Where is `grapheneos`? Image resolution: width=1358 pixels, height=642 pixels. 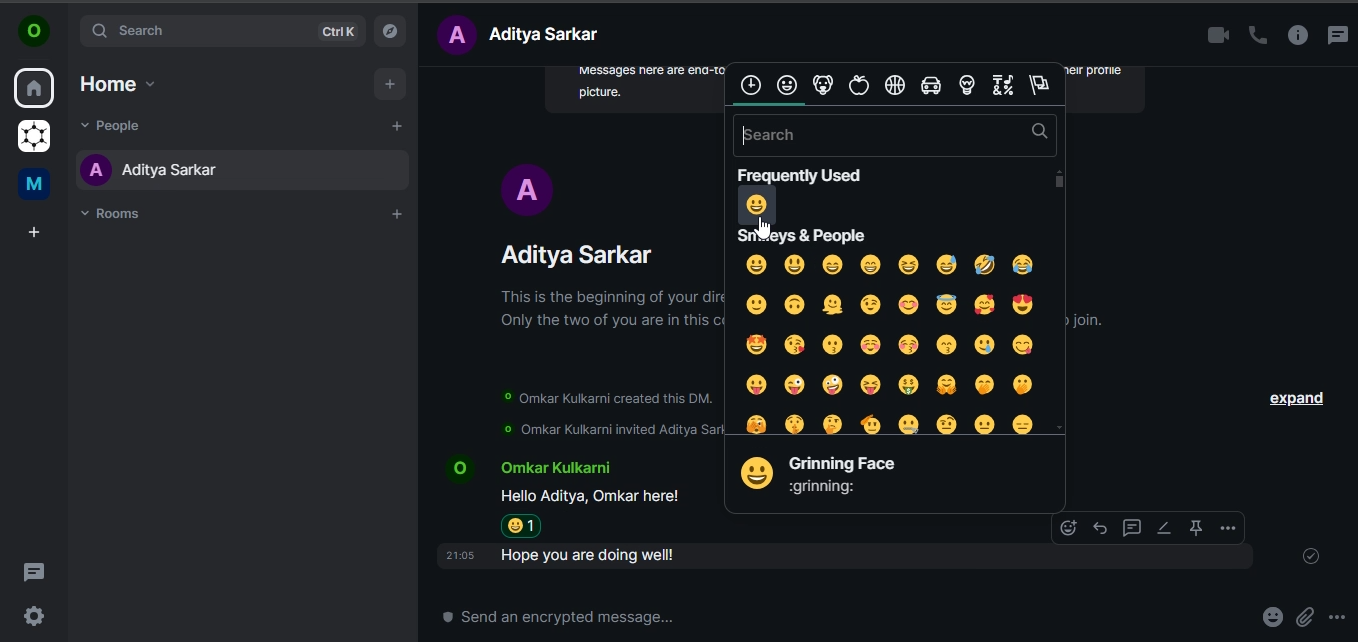
grapheneos is located at coordinates (32, 137).